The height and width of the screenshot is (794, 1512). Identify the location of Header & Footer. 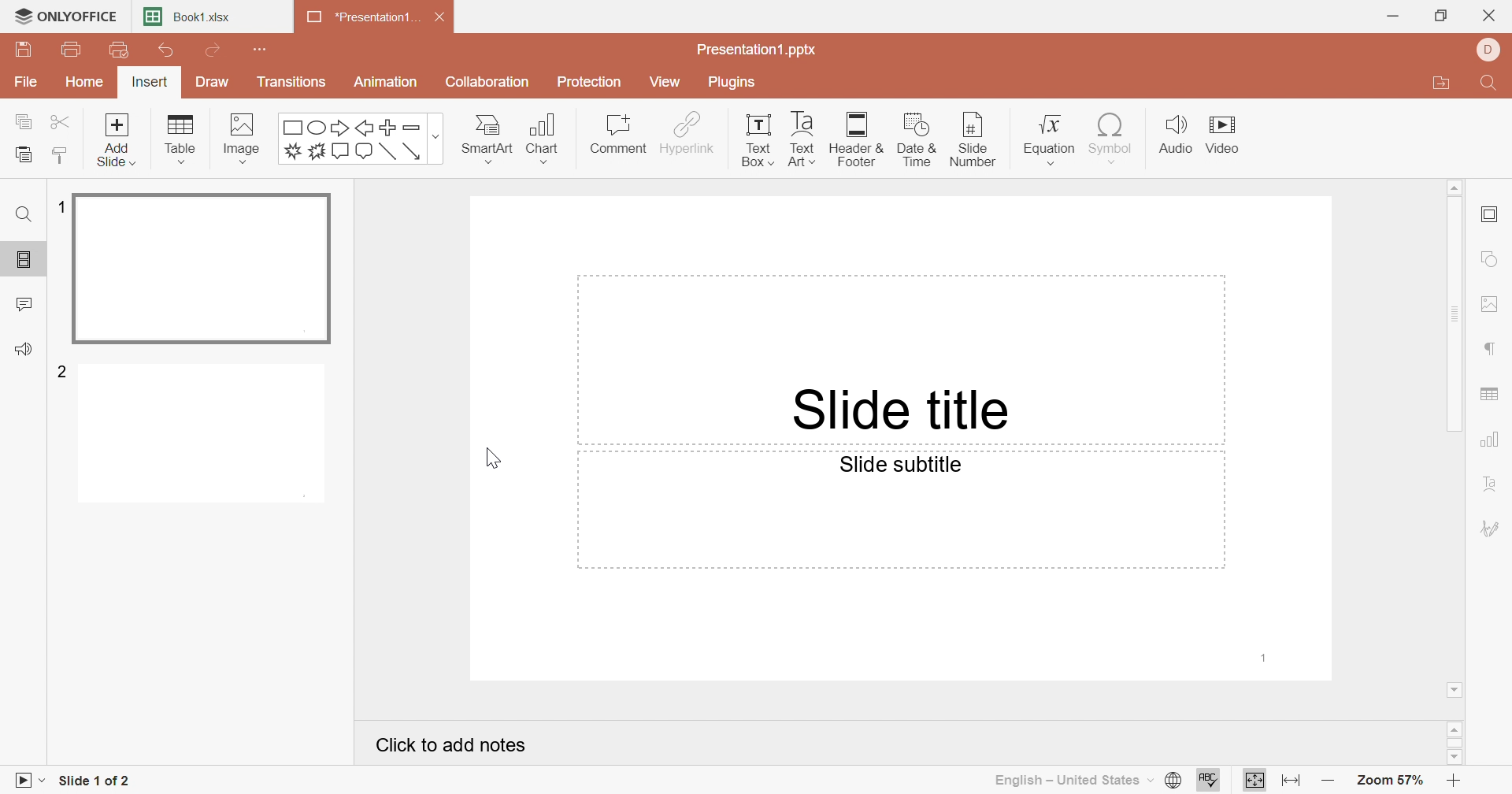
(858, 141).